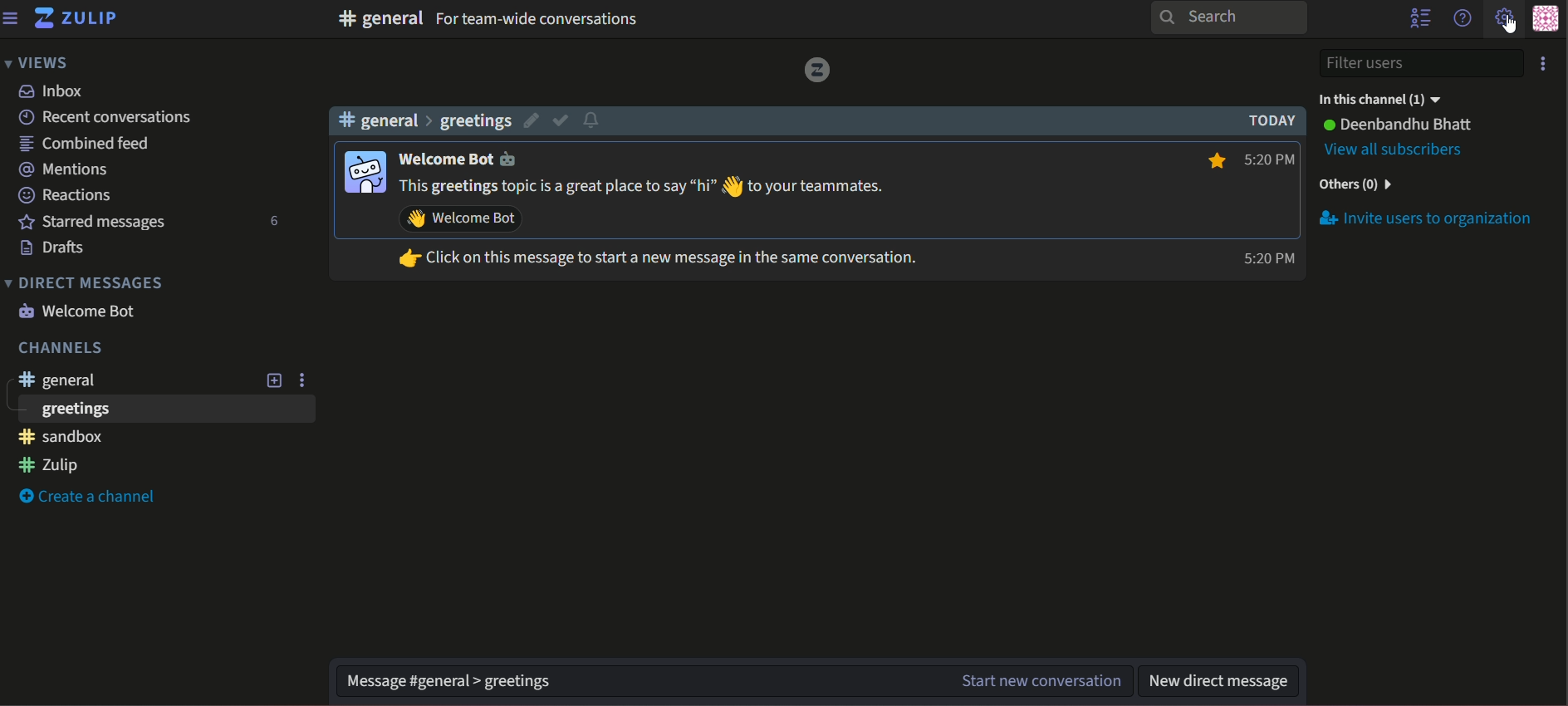 Image resolution: width=1568 pixels, height=706 pixels. What do you see at coordinates (83, 143) in the screenshot?
I see `combined feed` at bounding box center [83, 143].